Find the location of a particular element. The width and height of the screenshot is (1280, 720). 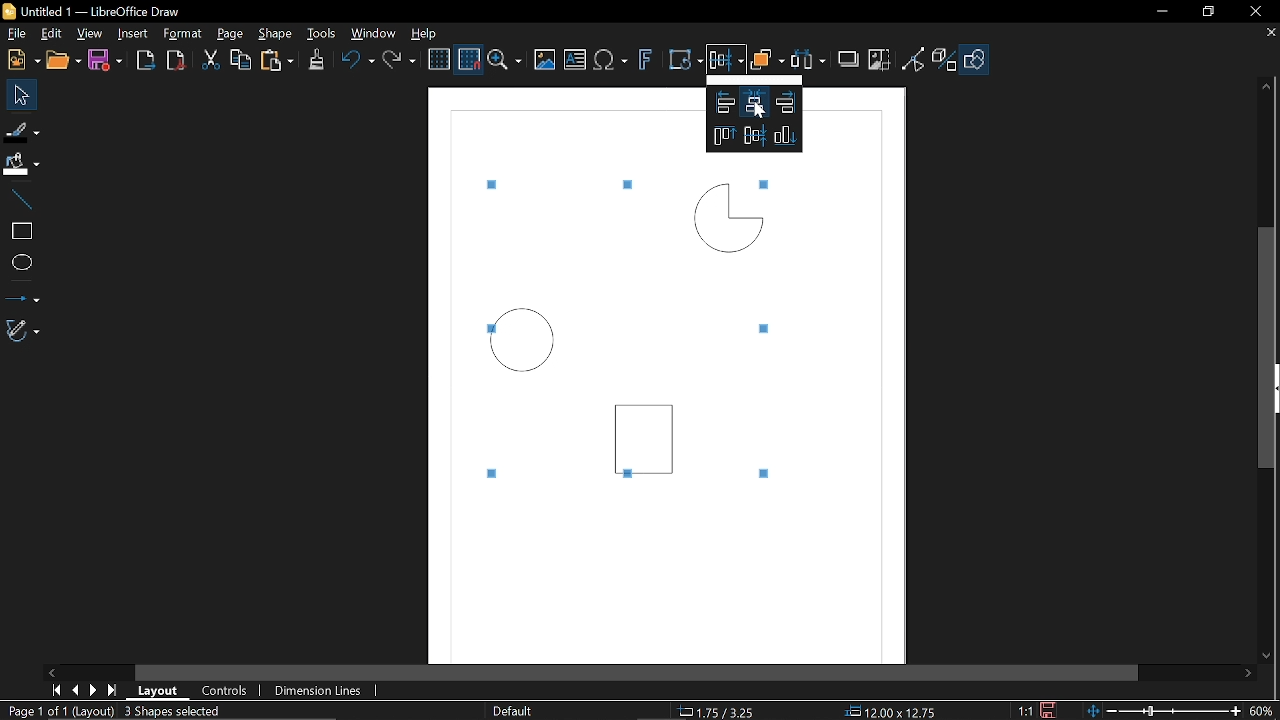

LibreOffice Logo is located at coordinates (10, 12).